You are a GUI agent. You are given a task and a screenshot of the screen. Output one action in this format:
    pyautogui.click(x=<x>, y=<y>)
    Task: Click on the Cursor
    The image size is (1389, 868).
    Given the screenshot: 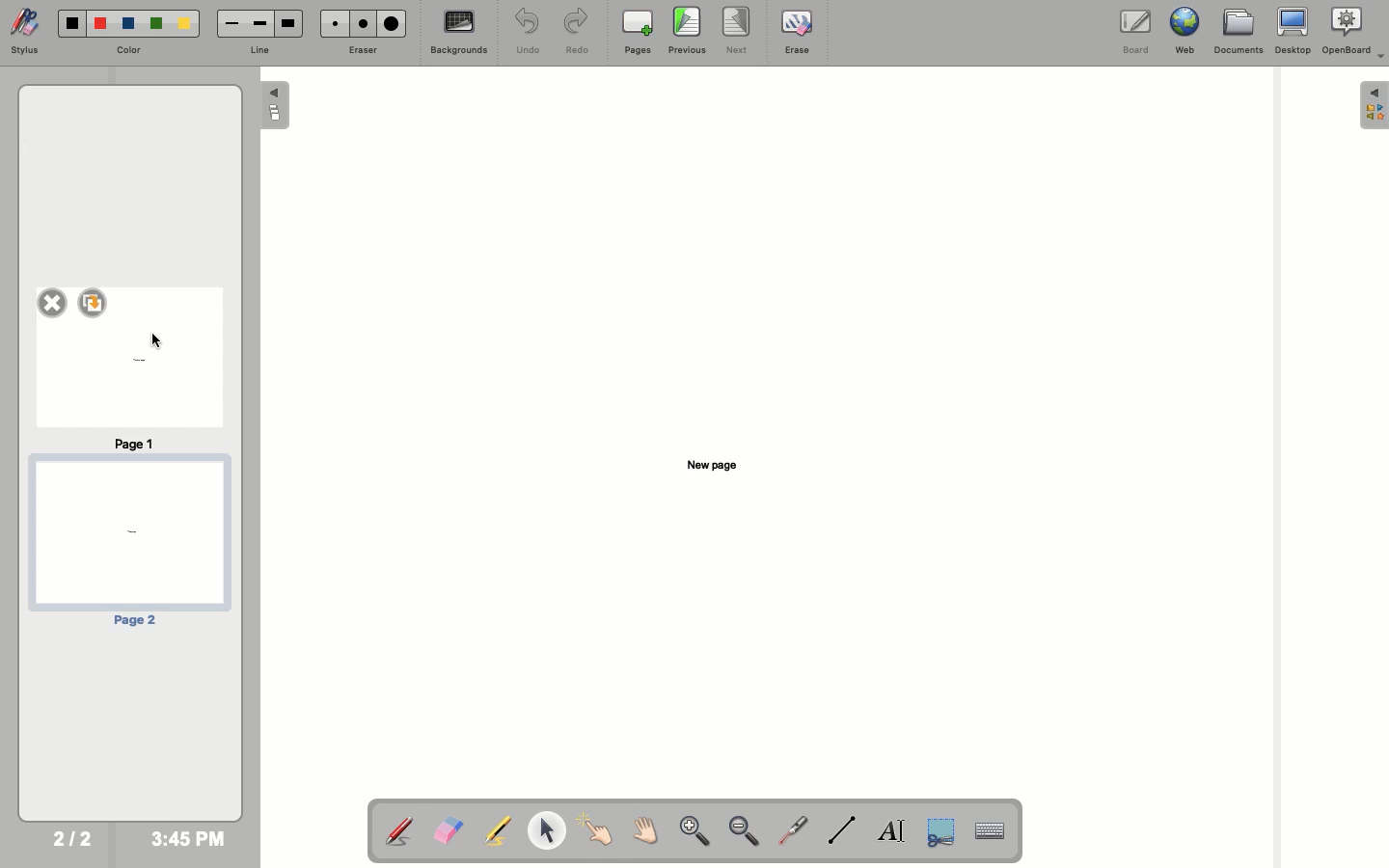 What is the action you would take?
    pyautogui.click(x=158, y=339)
    